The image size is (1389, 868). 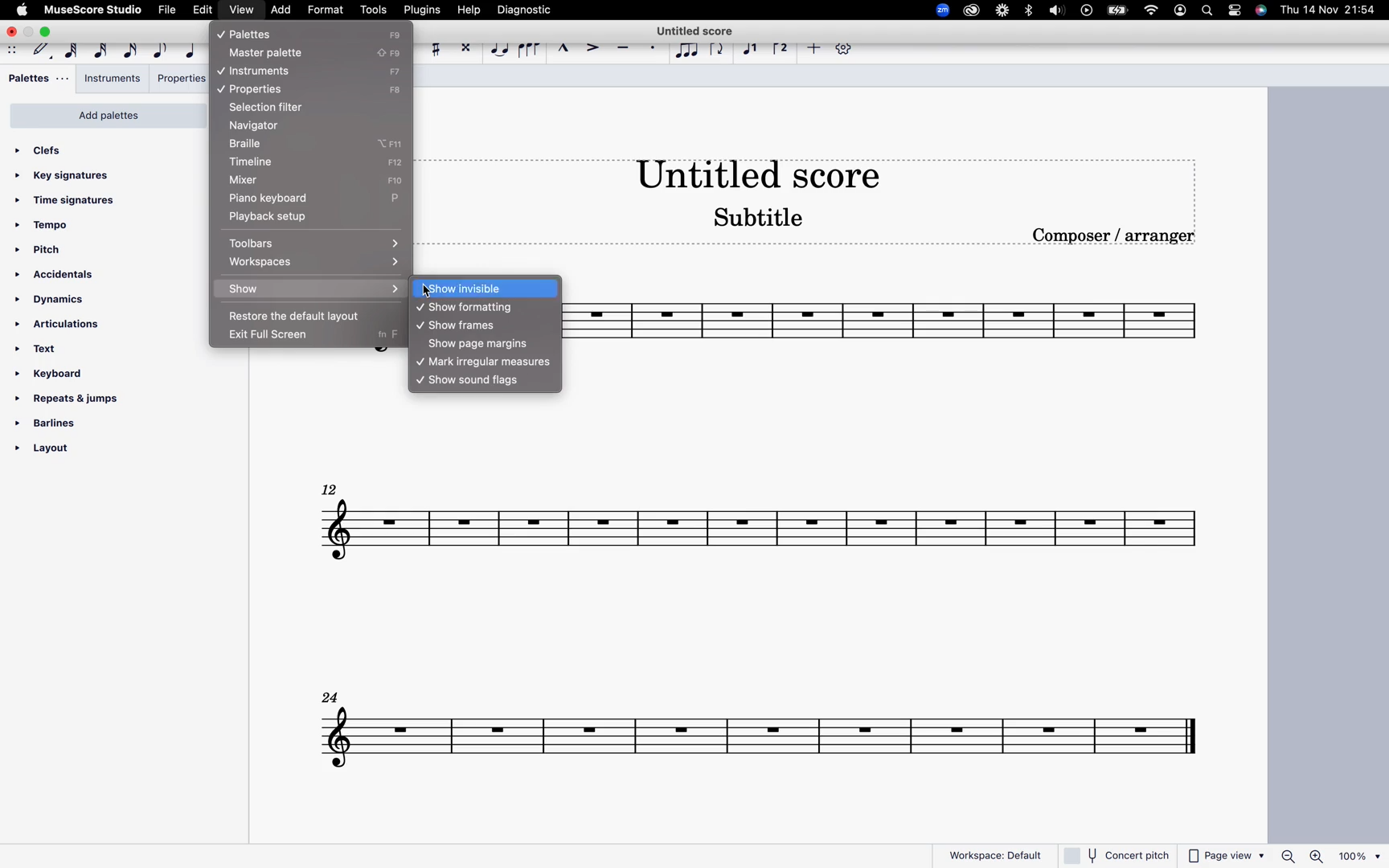 What do you see at coordinates (432, 48) in the screenshot?
I see `toggle sharp` at bounding box center [432, 48].